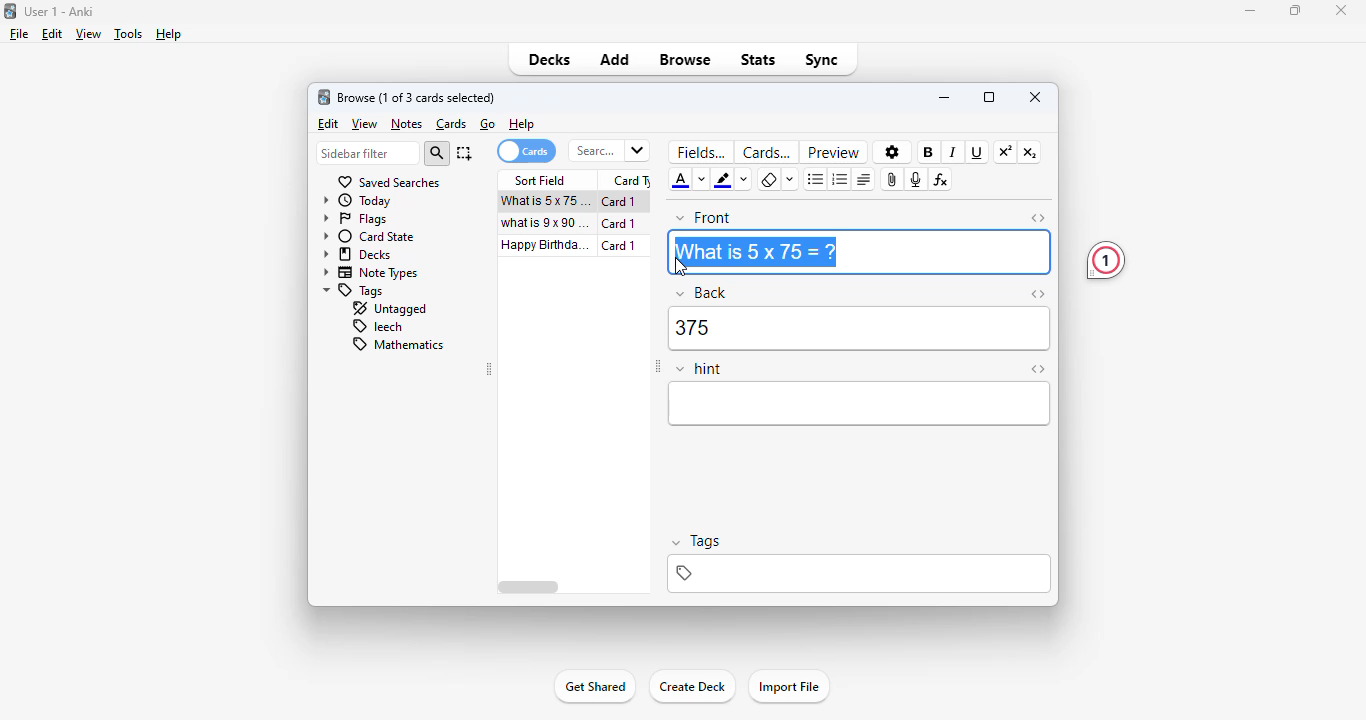 The height and width of the screenshot is (720, 1366). What do you see at coordinates (1250, 11) in the screenshot?
I see `minimize` at bounding box center [1250, 11].